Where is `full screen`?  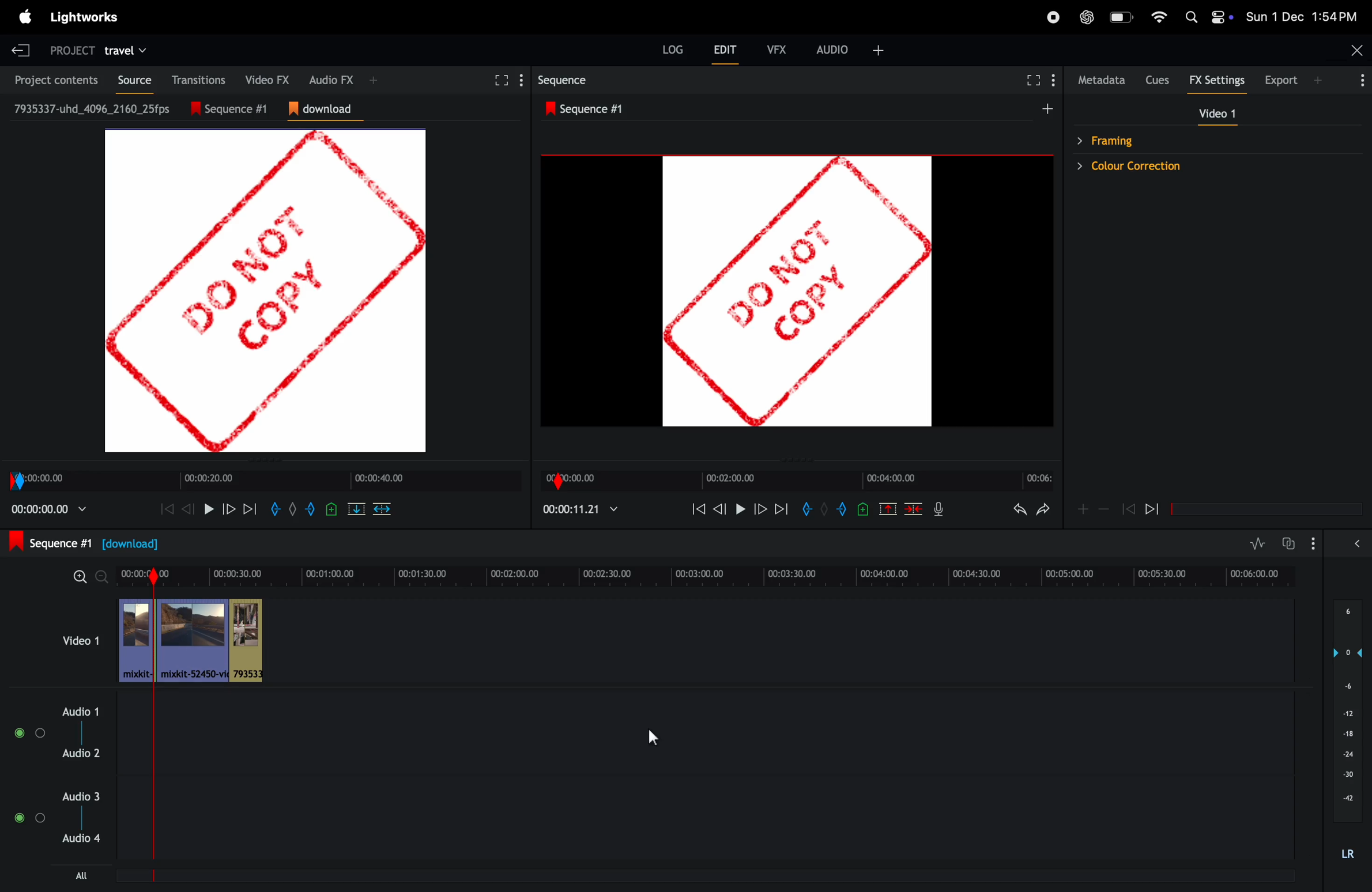 full screen is located at coordinates (499, 81).